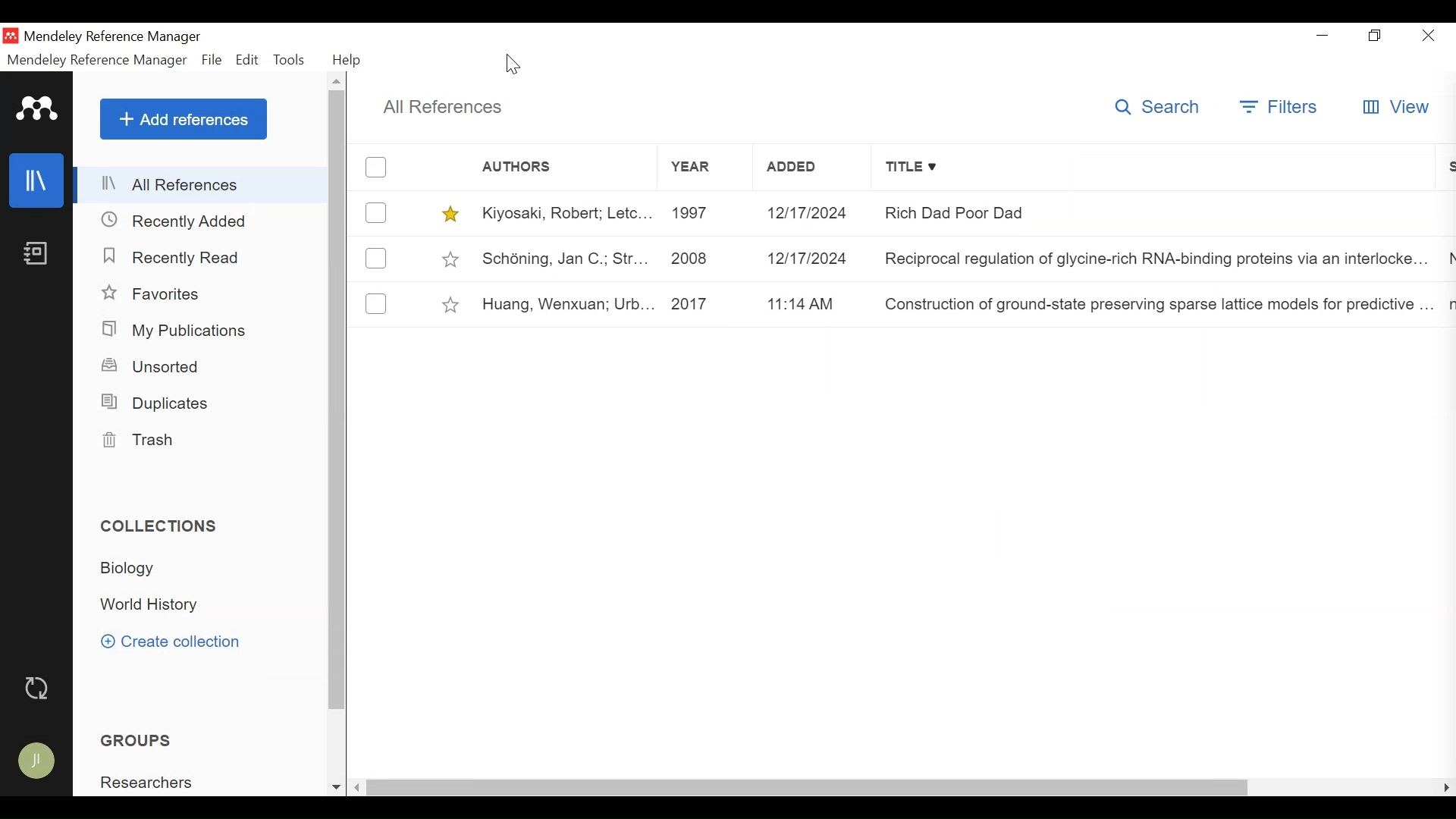 This screenshot has height=819, width=1456. Describe the element at coordinates (39, 686) in the screenshot. I see `Sync` at that location.